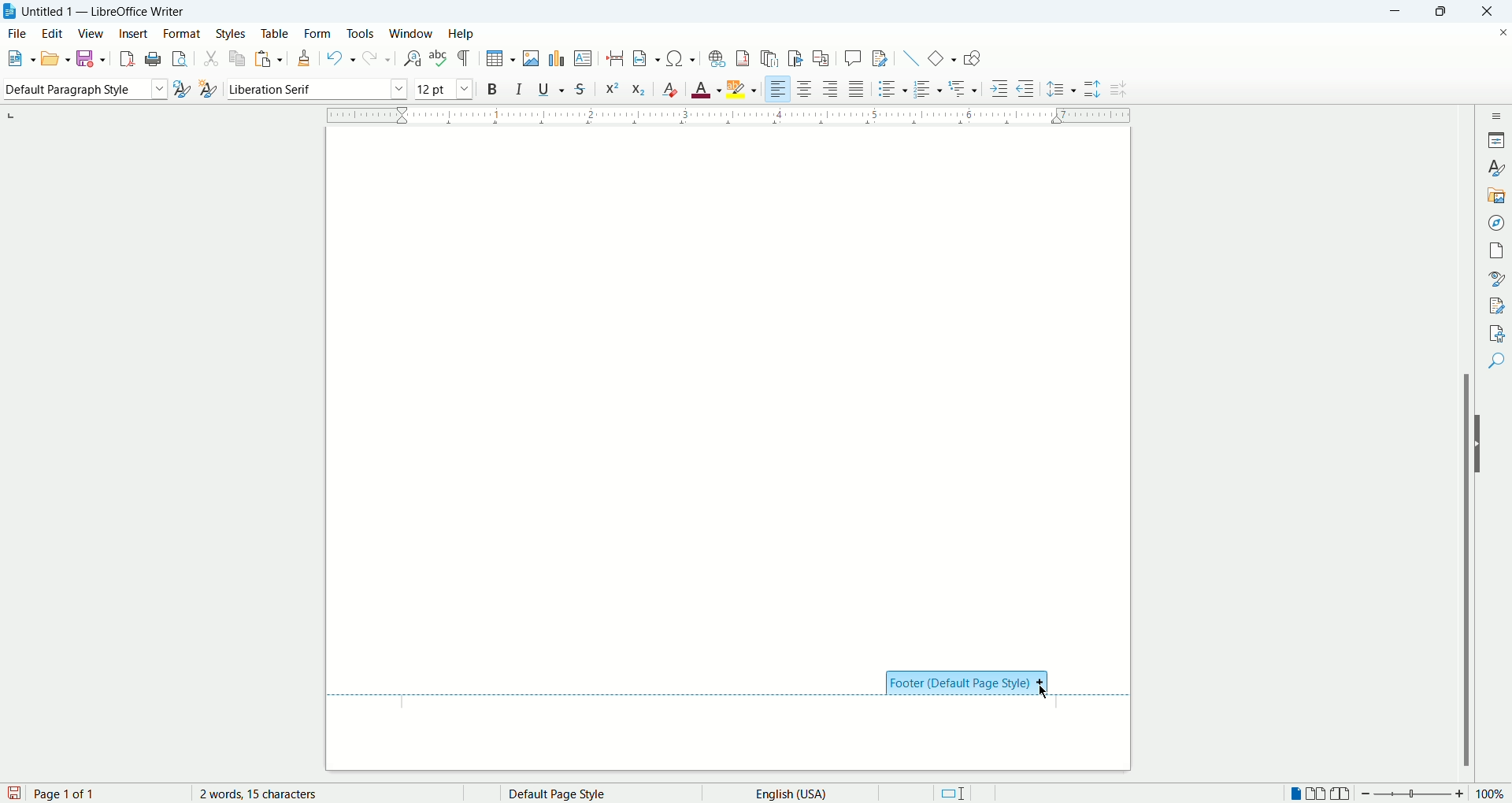 The height and width of the screenshot is (803, 1512). What do you see at coordinates (106, 794) in the screenshot?
I see `page number` at bounding box center [106, 794].